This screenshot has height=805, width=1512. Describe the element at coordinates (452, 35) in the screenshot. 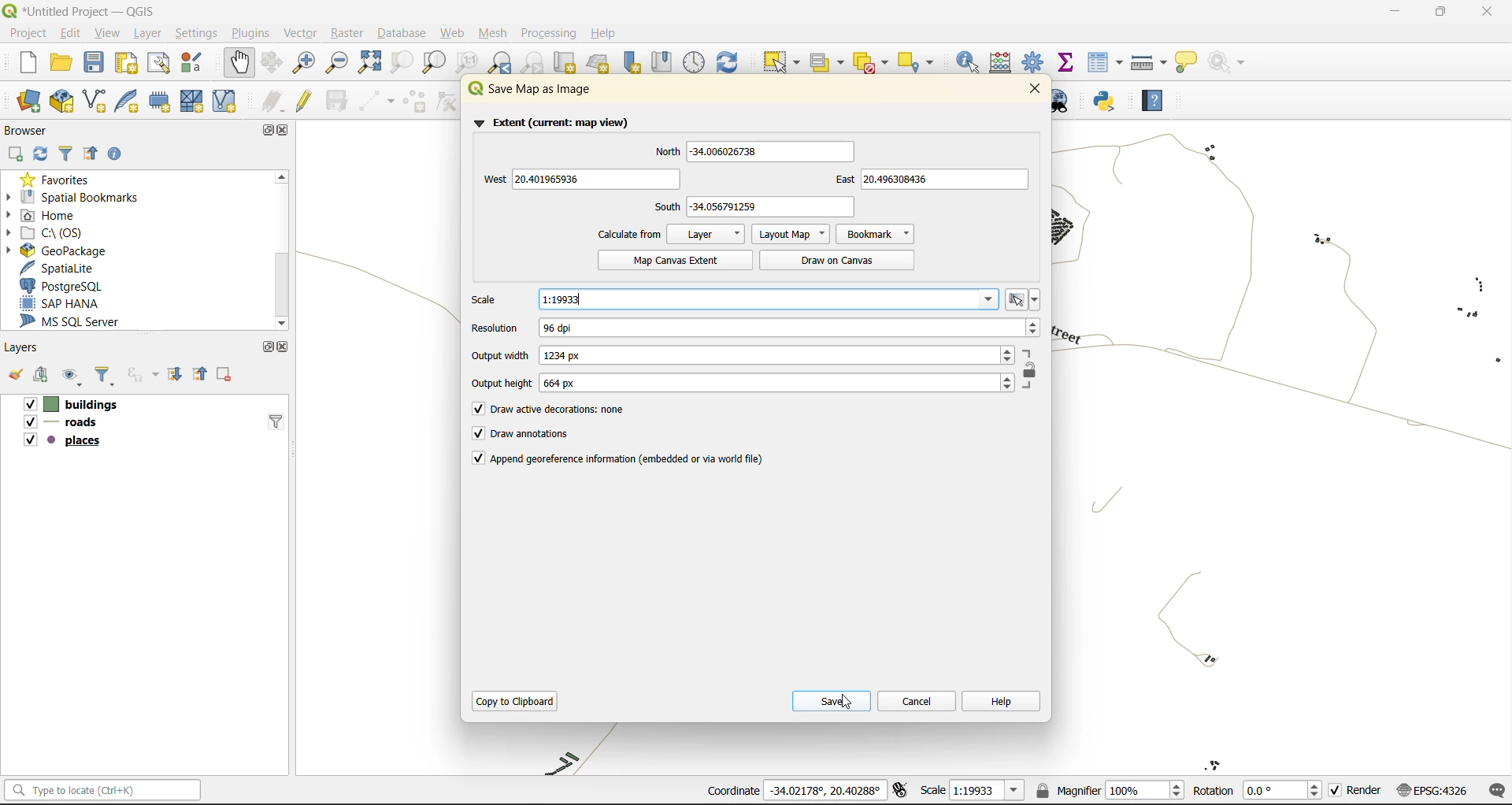

I see `web` at that location.